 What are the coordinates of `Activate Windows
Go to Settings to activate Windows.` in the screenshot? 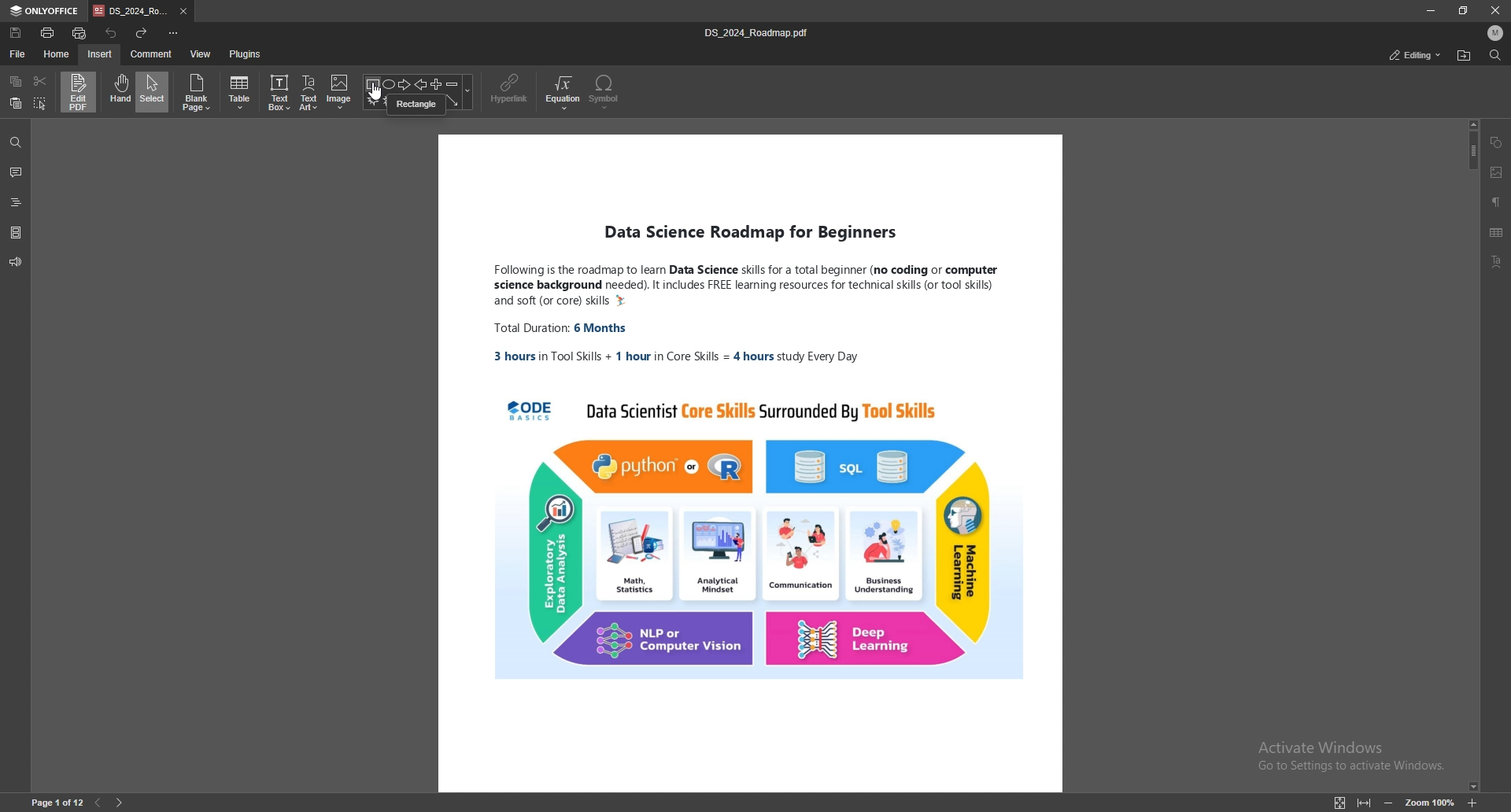 It's located at (1349, 755).